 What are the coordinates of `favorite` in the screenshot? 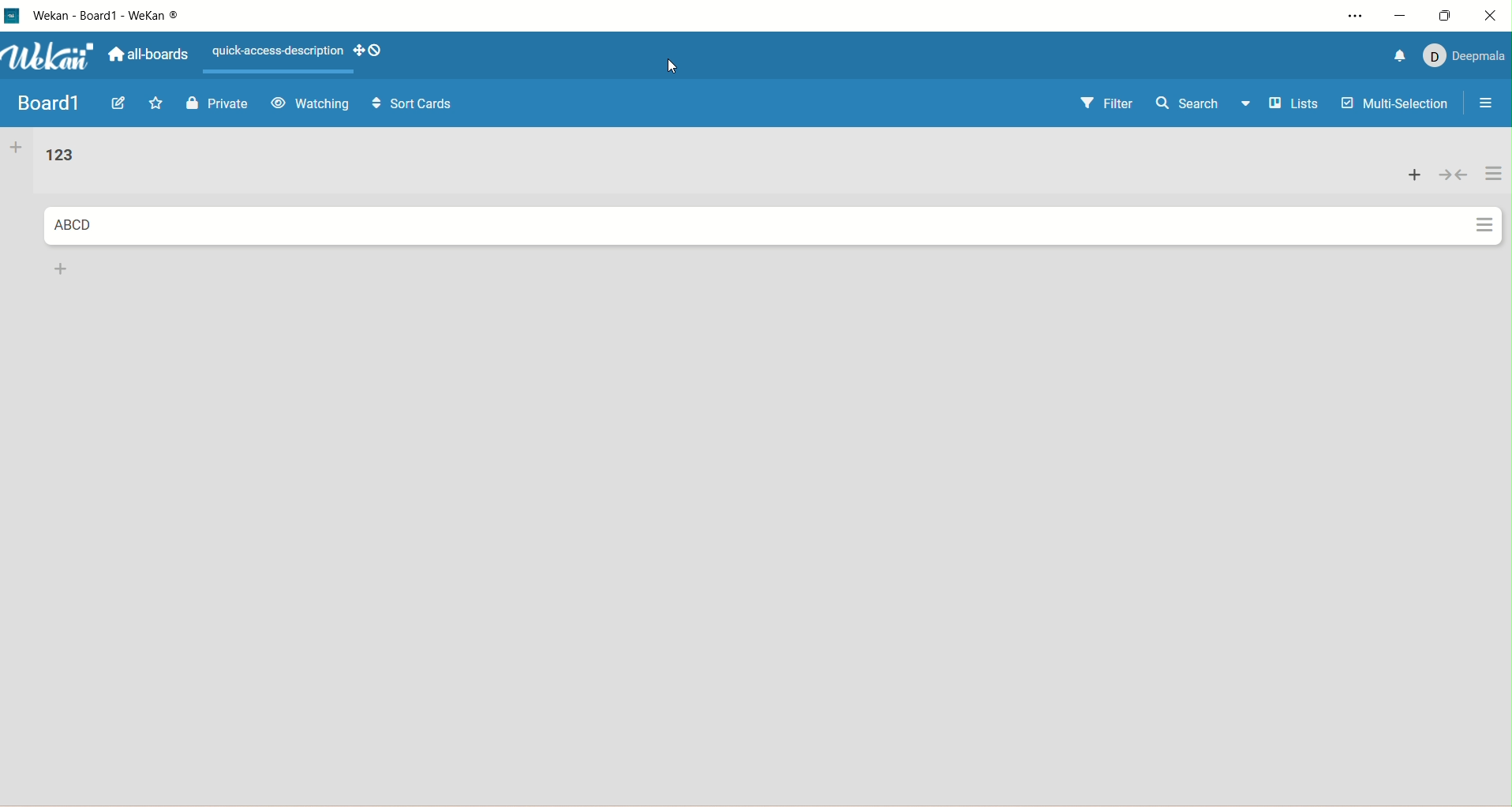 It's located at (161, 104).